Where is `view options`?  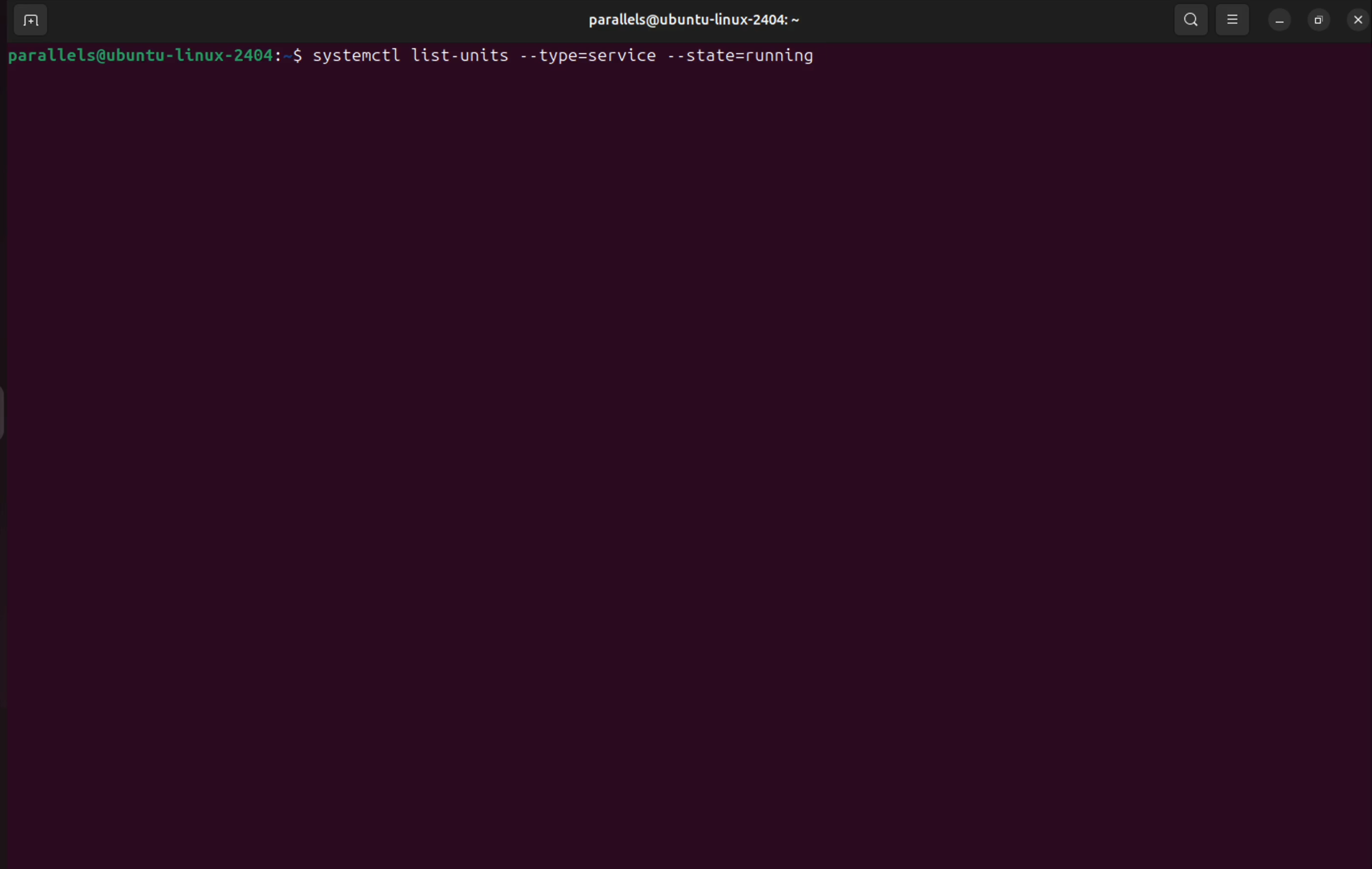 view options is located at coordinates (1235, 21).